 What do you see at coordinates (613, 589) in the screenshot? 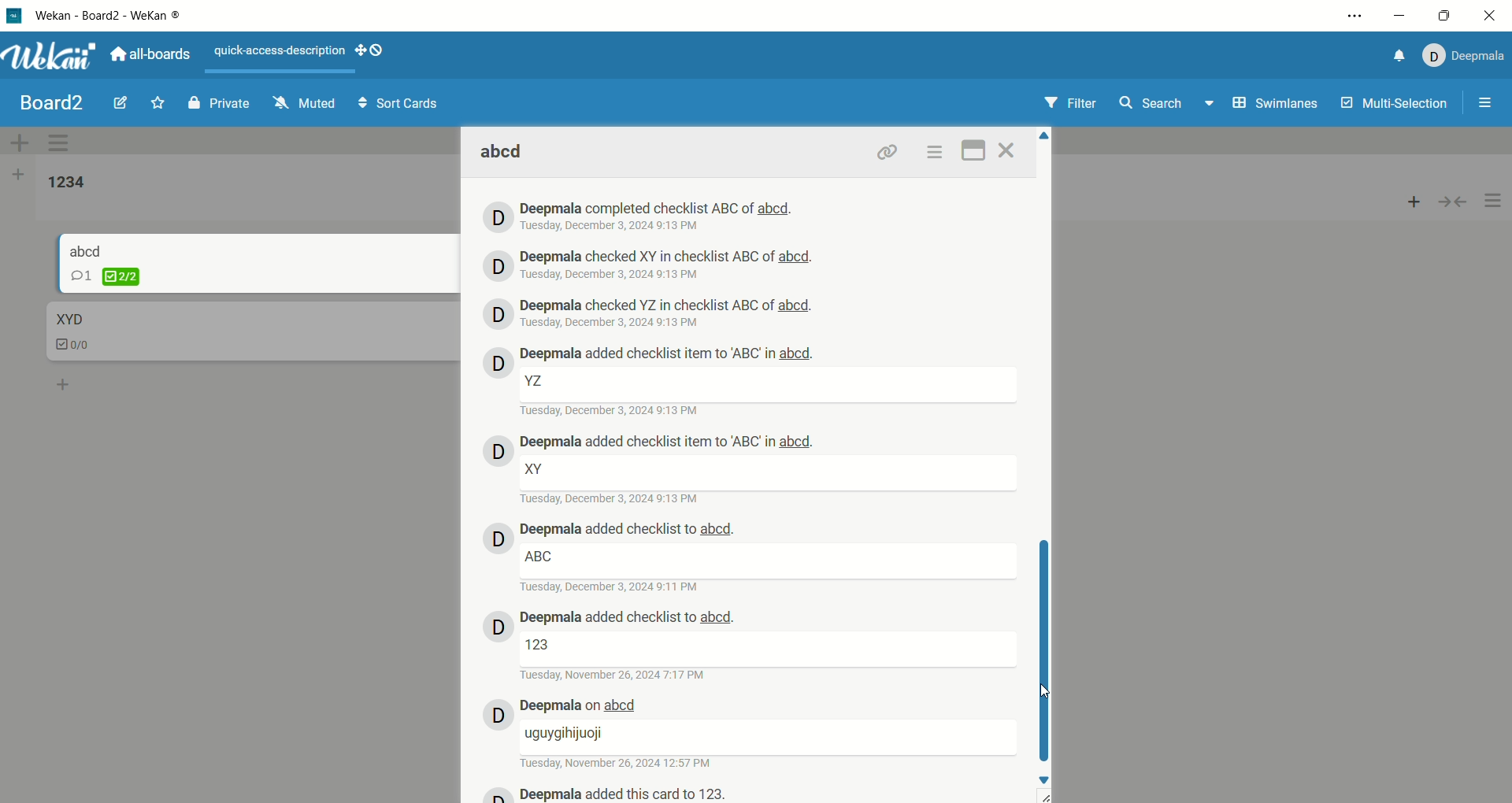
I see `date and time` at bounding box center [613, 589].